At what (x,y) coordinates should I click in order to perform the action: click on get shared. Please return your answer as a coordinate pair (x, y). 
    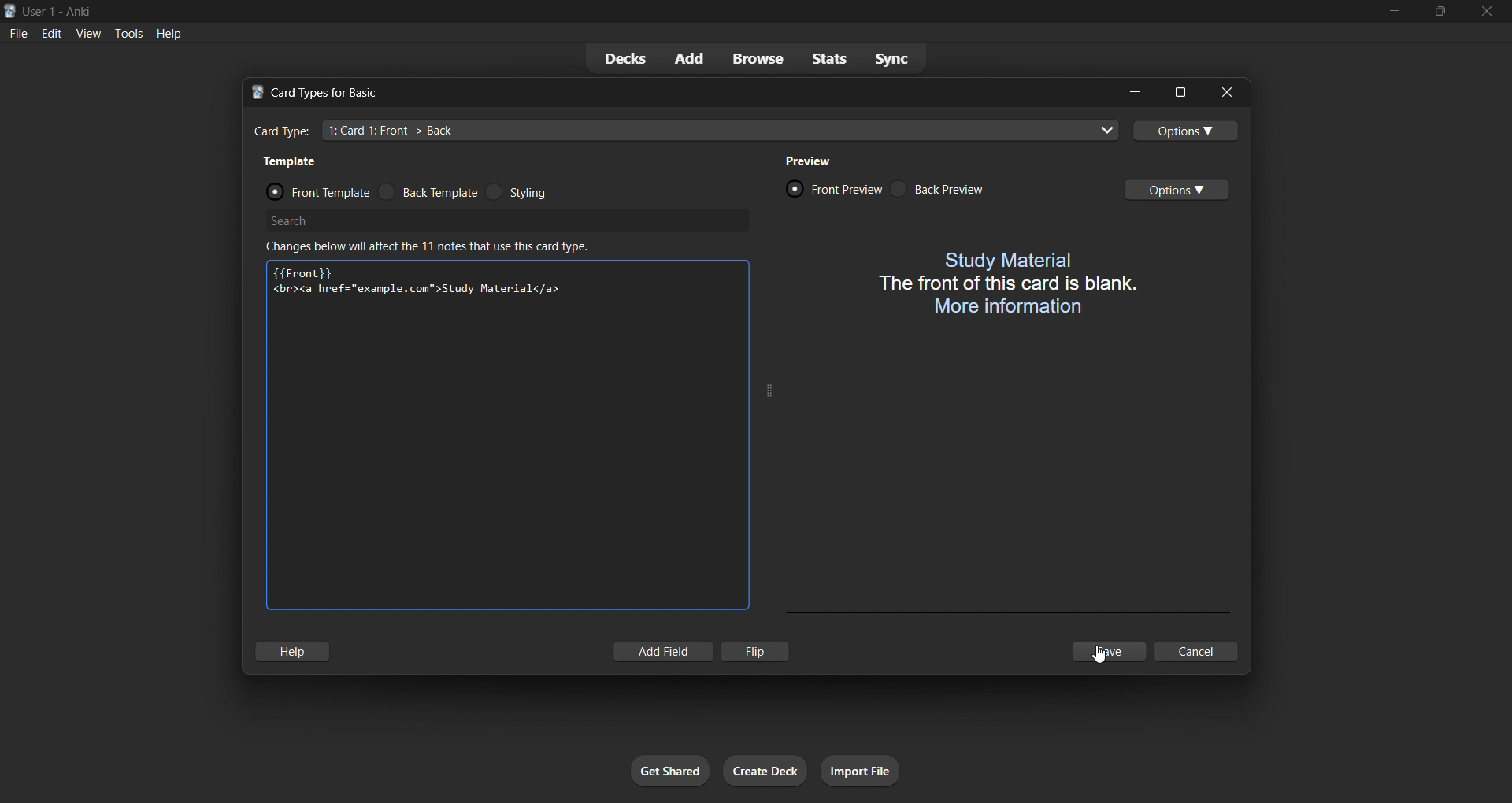
    Looking at the image, I should click on (667, 770).